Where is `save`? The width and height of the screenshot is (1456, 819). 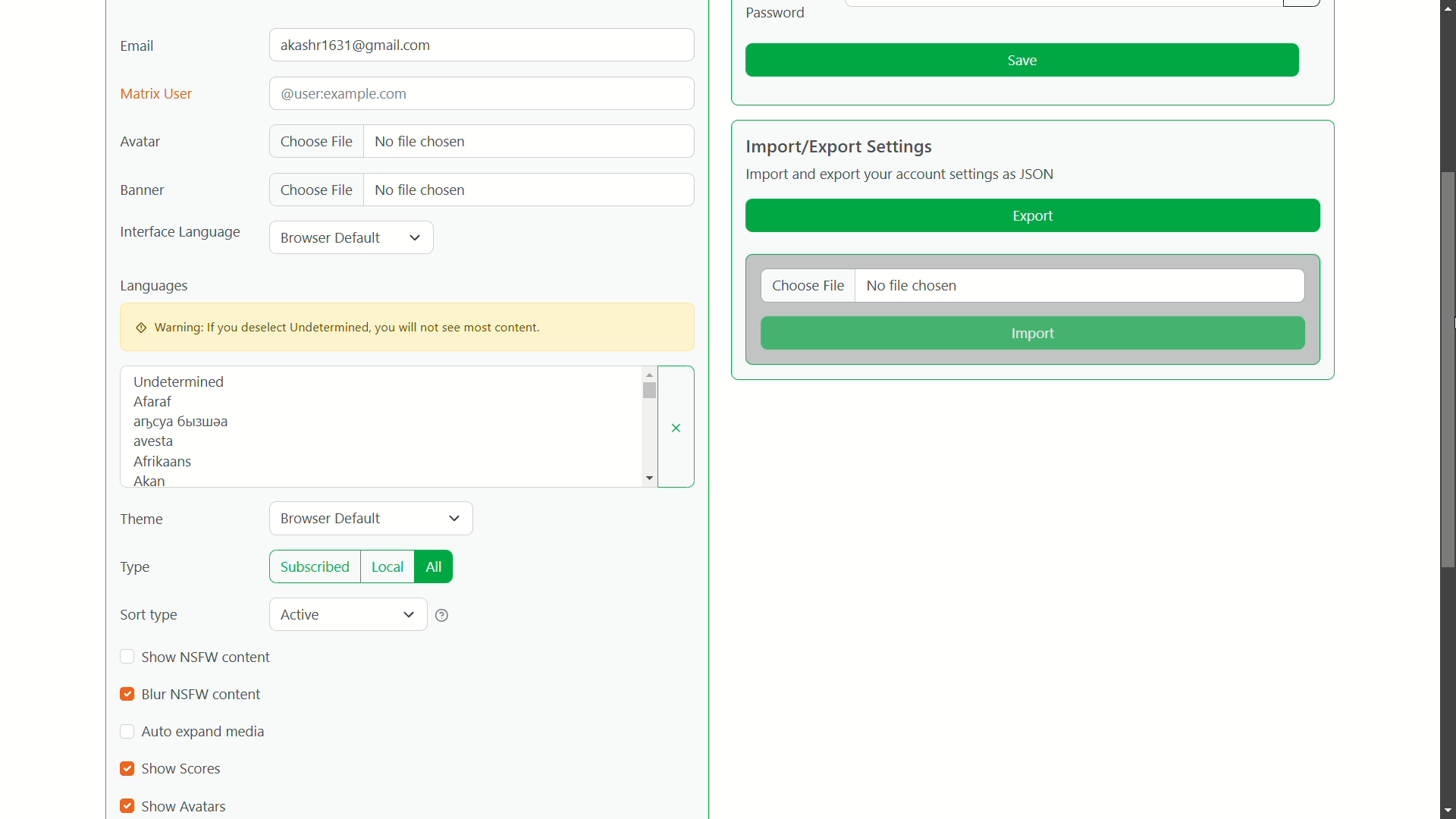 save is located at coordinates (1022, 61).